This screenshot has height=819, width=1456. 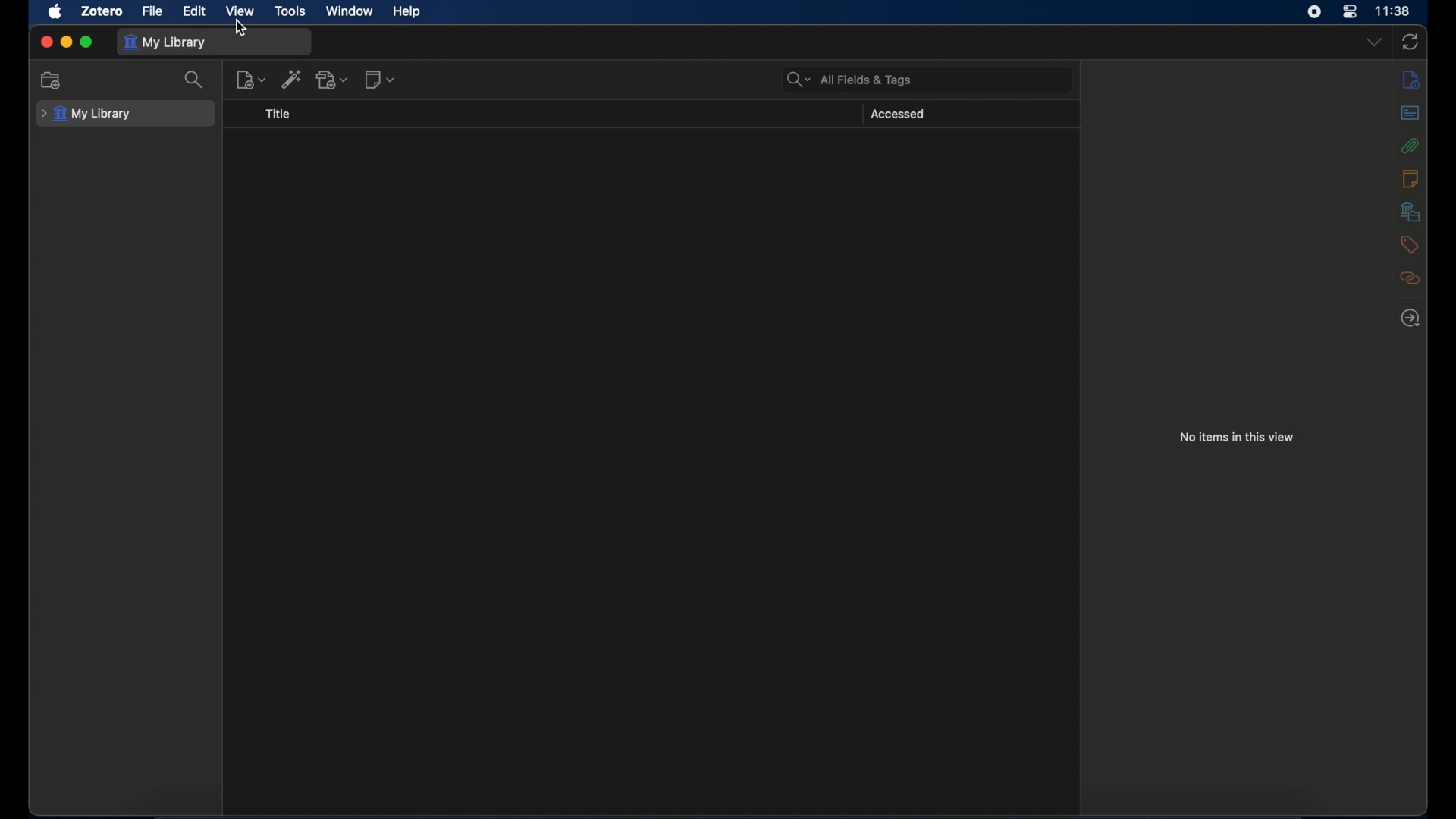 I want to click on tags, so click(x=1410, y=244).